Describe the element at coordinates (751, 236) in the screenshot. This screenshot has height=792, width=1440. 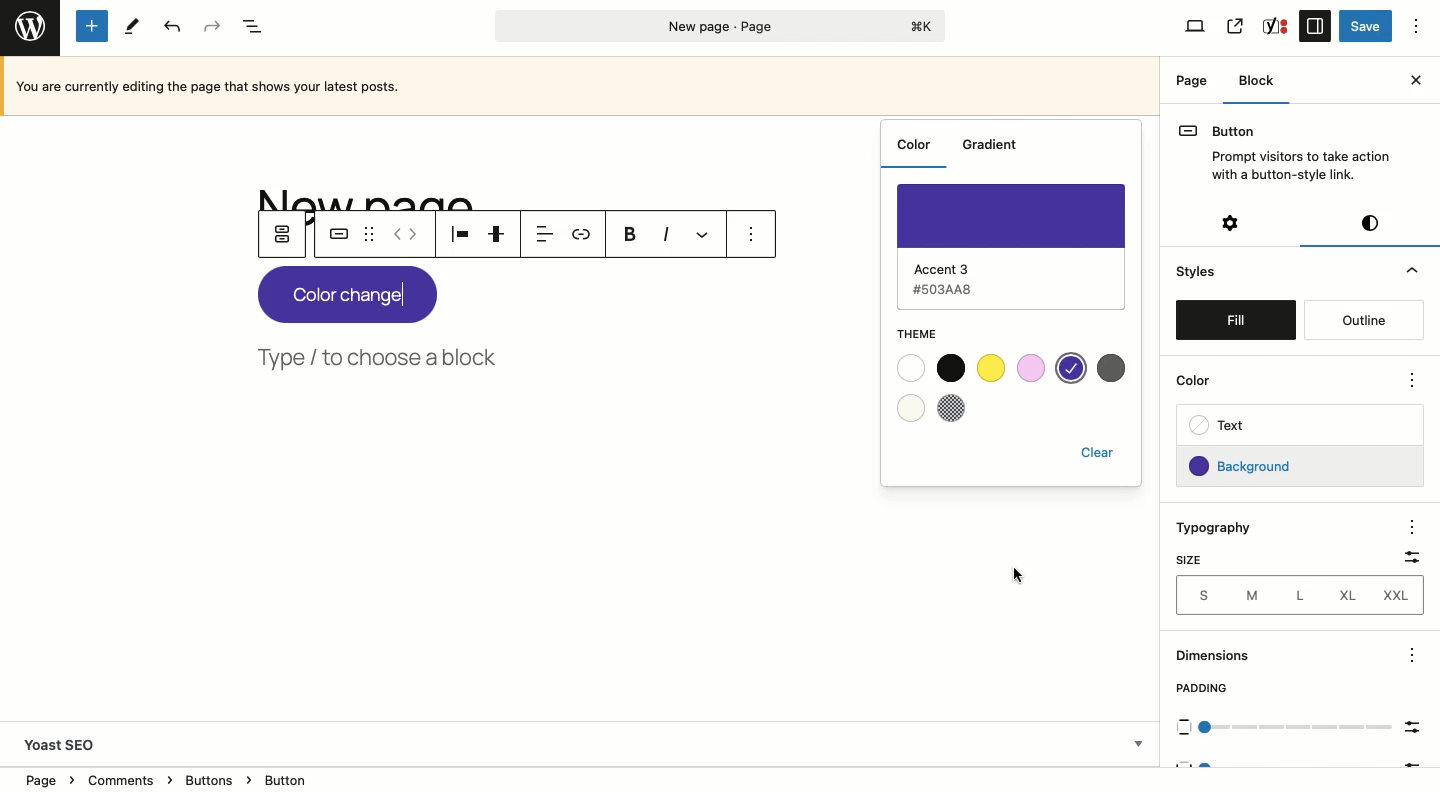
I see `Options` at that location.